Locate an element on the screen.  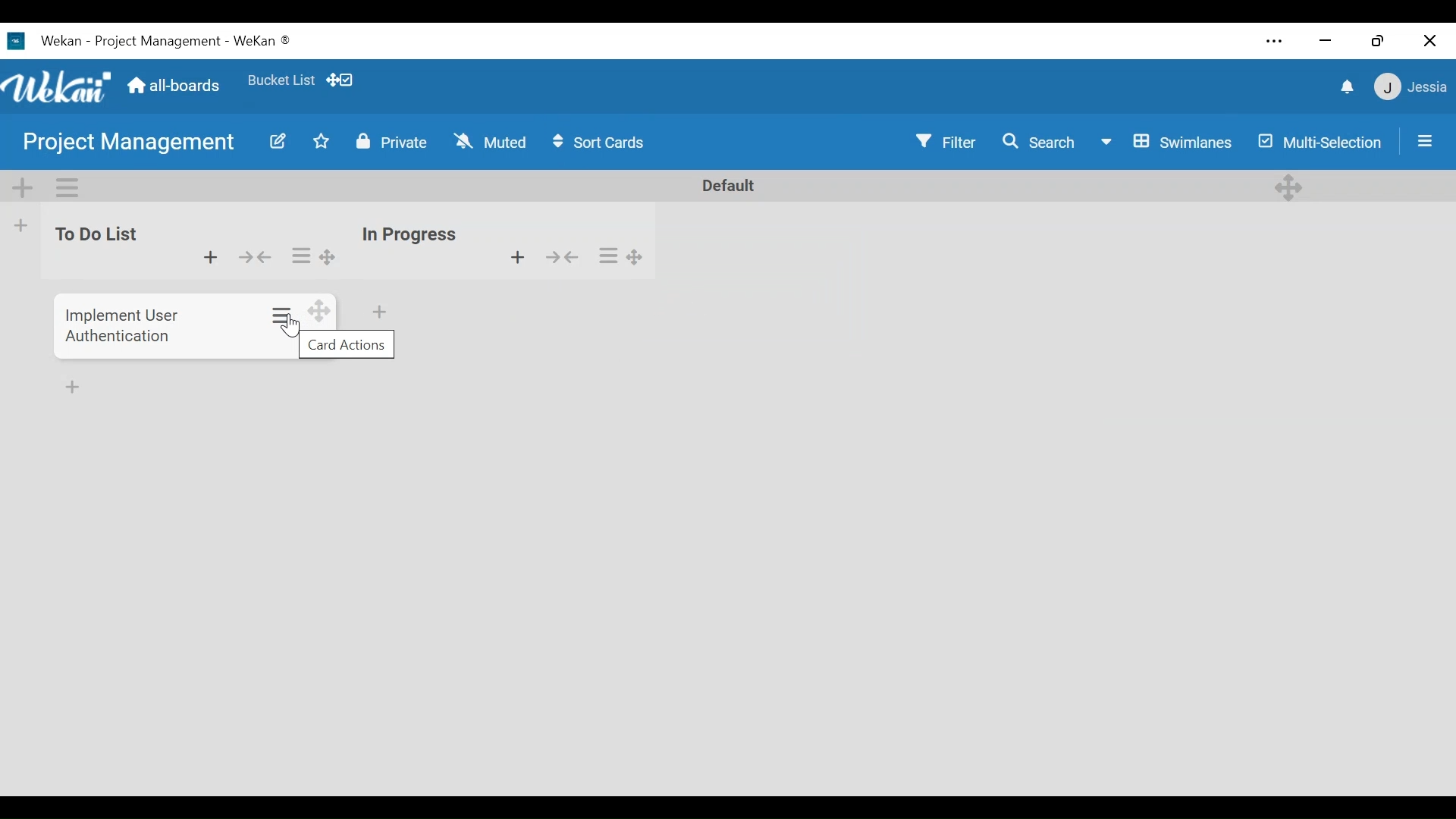
Cursor is located at coordinates (293, 329).